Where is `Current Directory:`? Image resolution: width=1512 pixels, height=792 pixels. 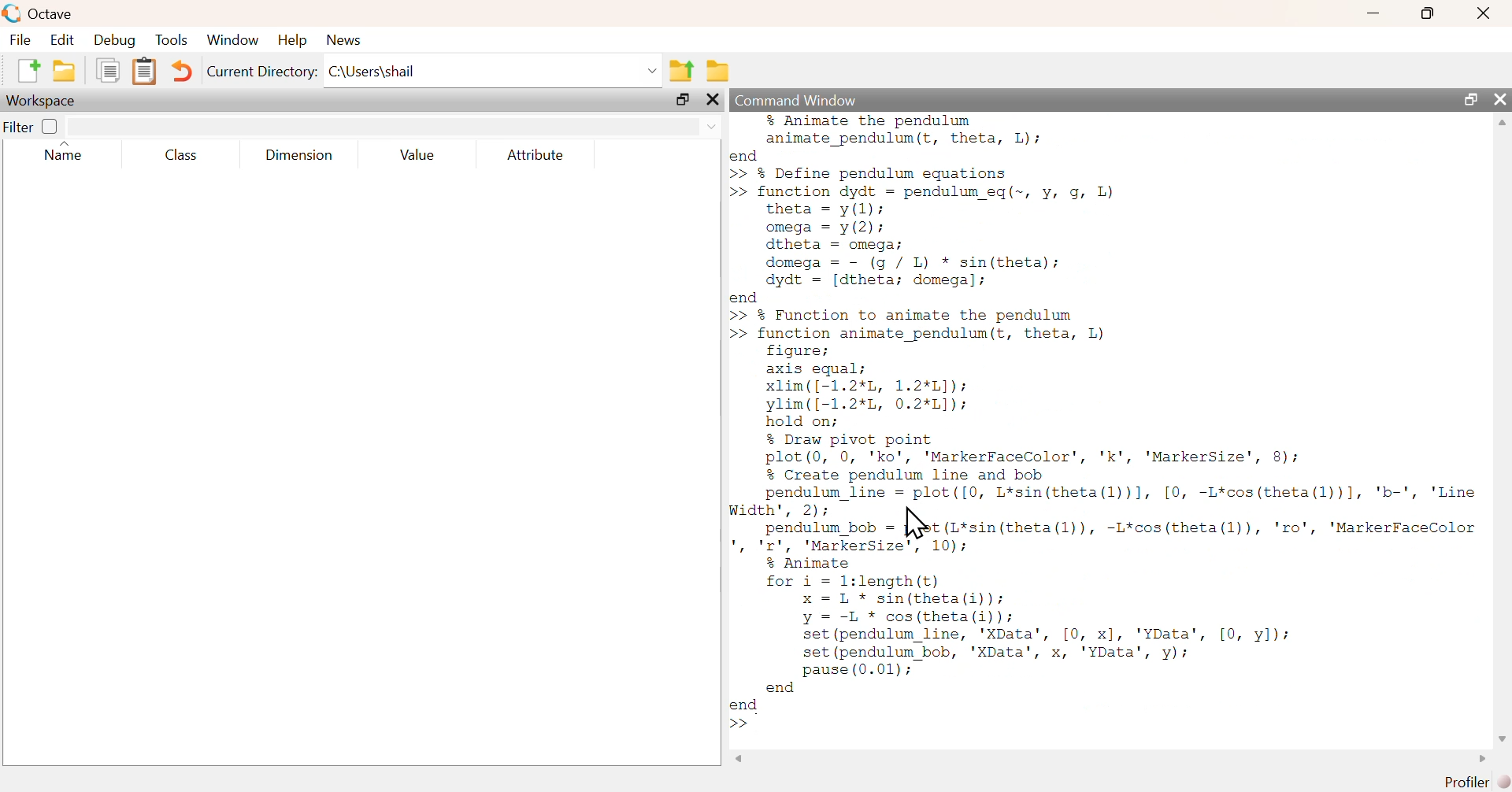
Current Directory: is located at coordinates (264, 74).